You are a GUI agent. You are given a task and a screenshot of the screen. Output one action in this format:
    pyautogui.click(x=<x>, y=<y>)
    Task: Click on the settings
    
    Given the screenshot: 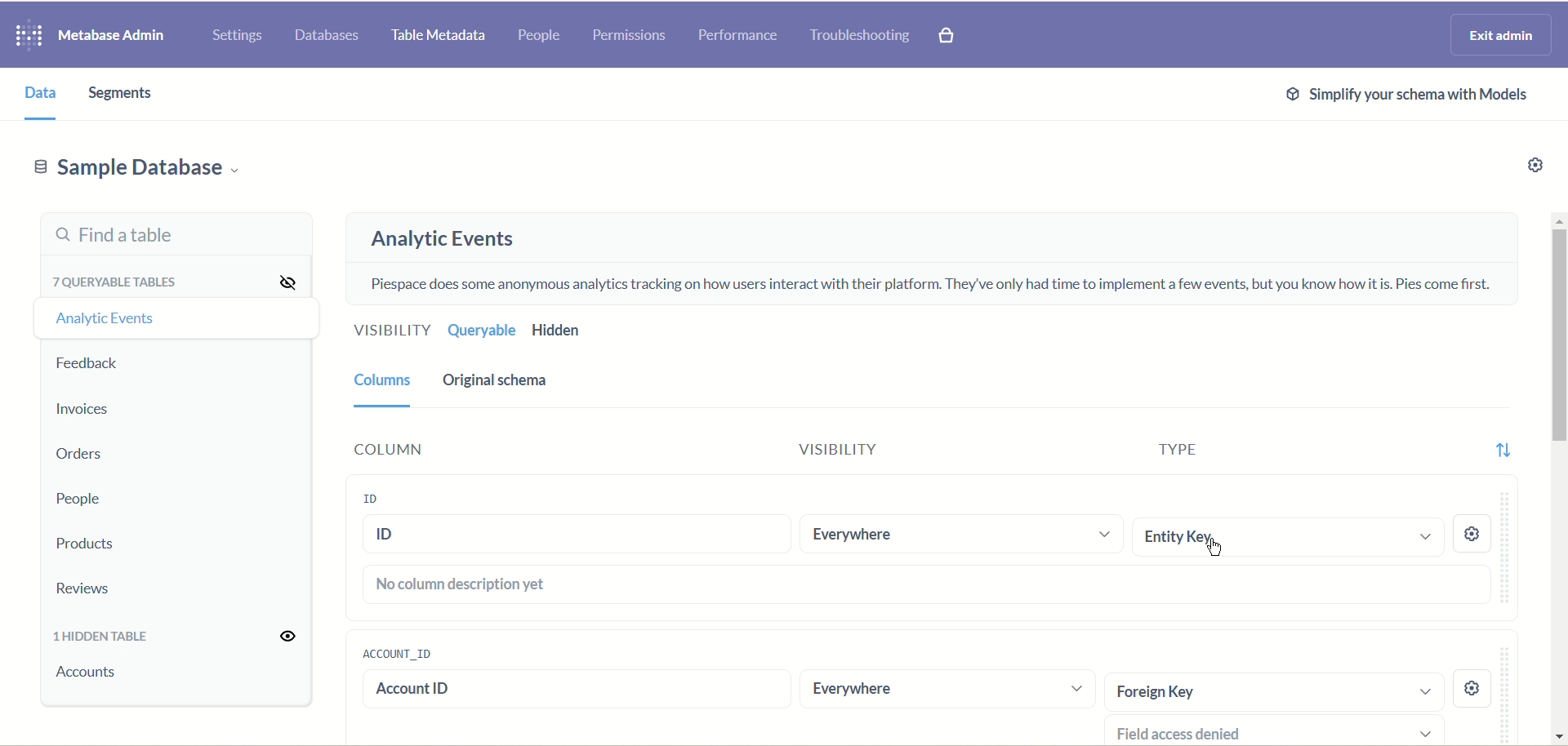 What is the action you would take?
    pyautogui.click(x=237, y=37)
    